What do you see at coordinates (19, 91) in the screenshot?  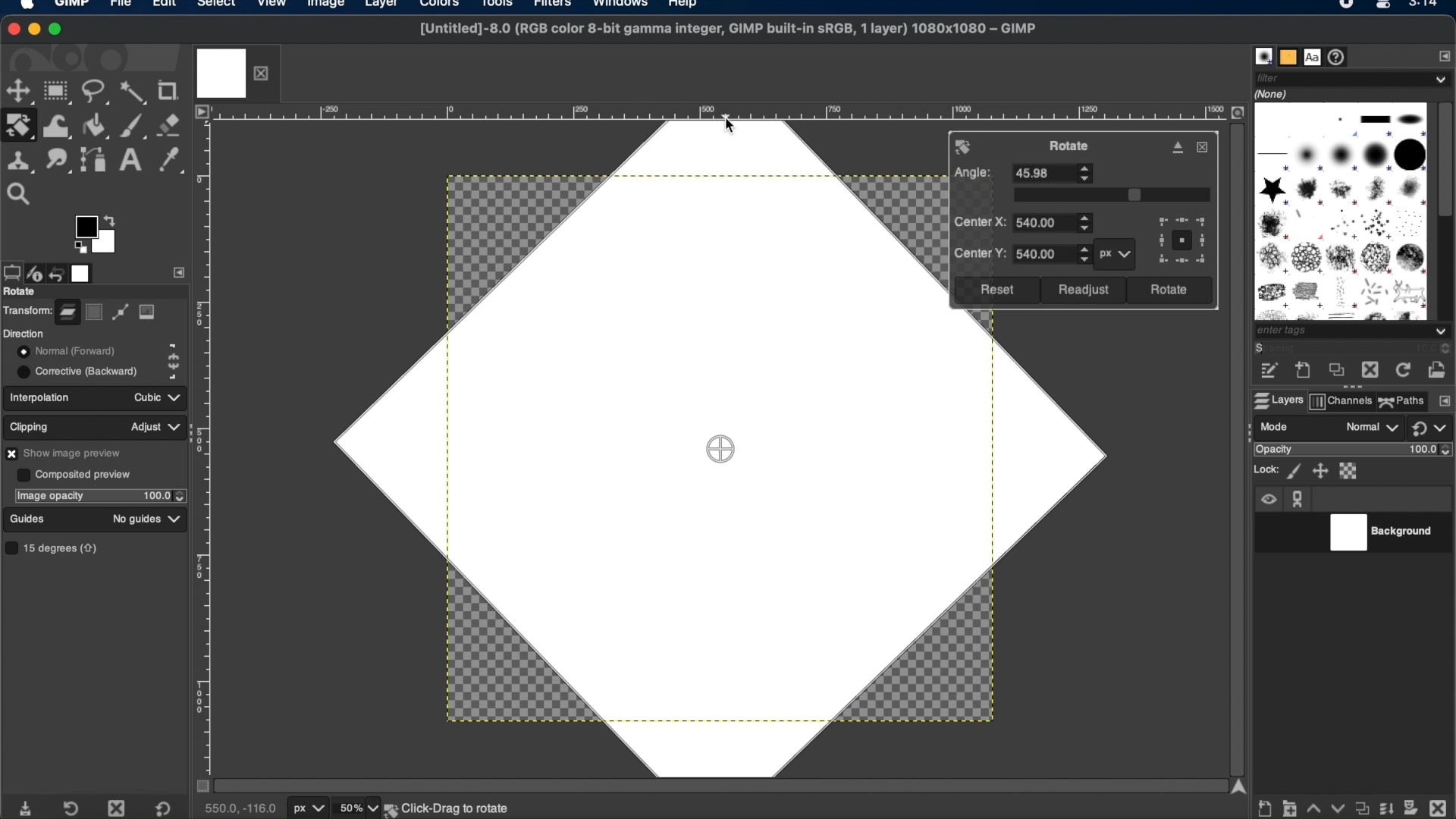 I see `move tool` at bounding box center [19, 91].